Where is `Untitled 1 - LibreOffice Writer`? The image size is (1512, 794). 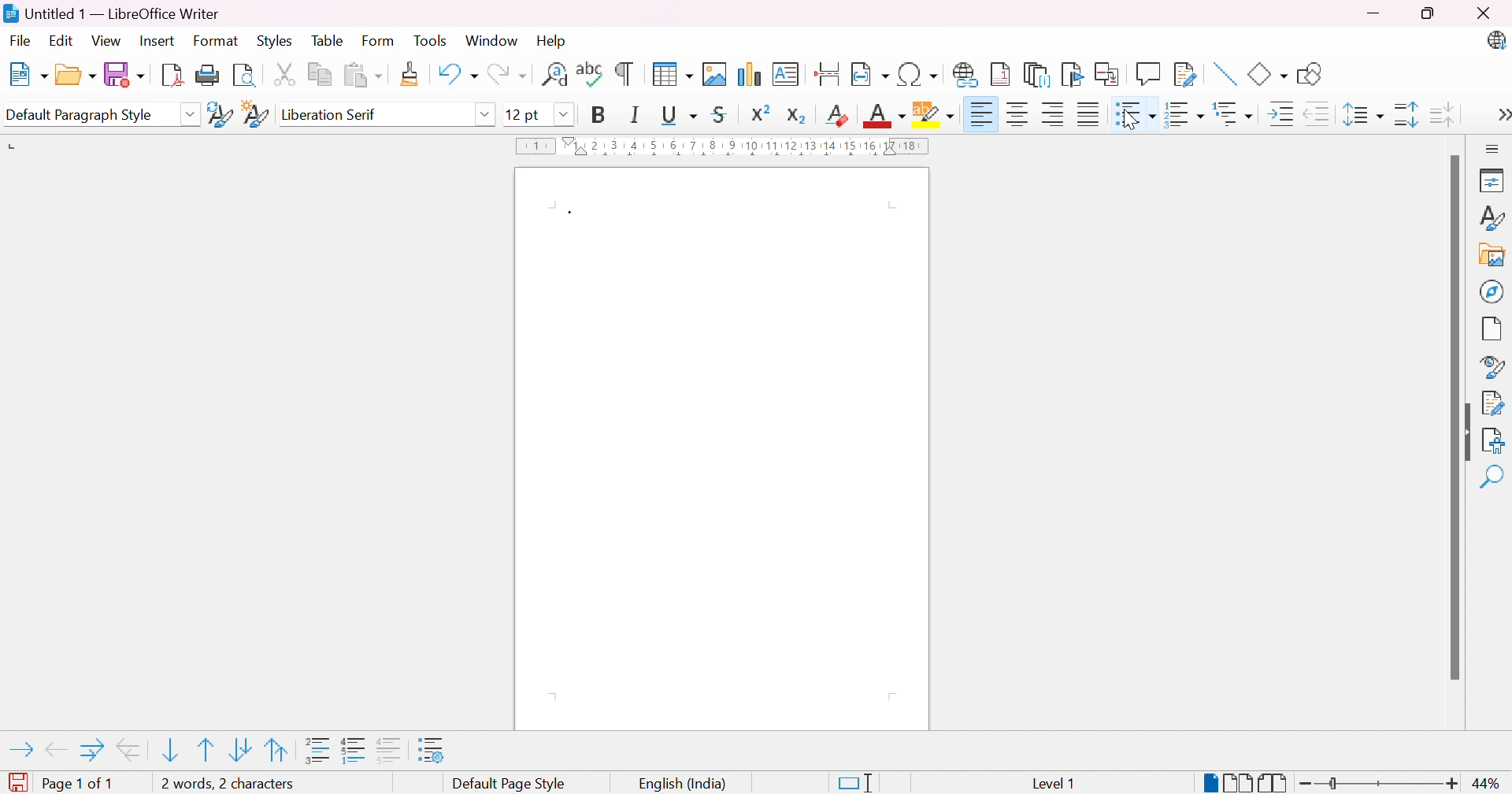 Untitled 1 - LibreOffice Writer is located at coordinates (112, 12).